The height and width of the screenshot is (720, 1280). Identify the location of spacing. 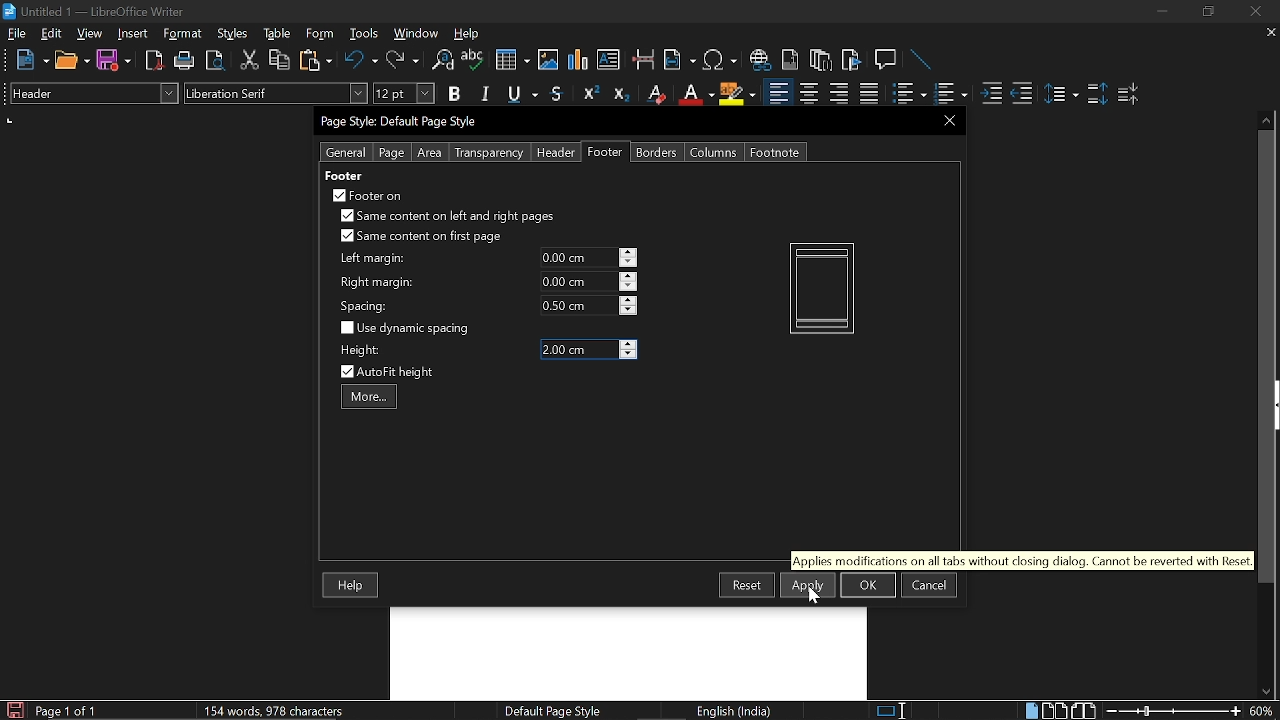
(367, 306).